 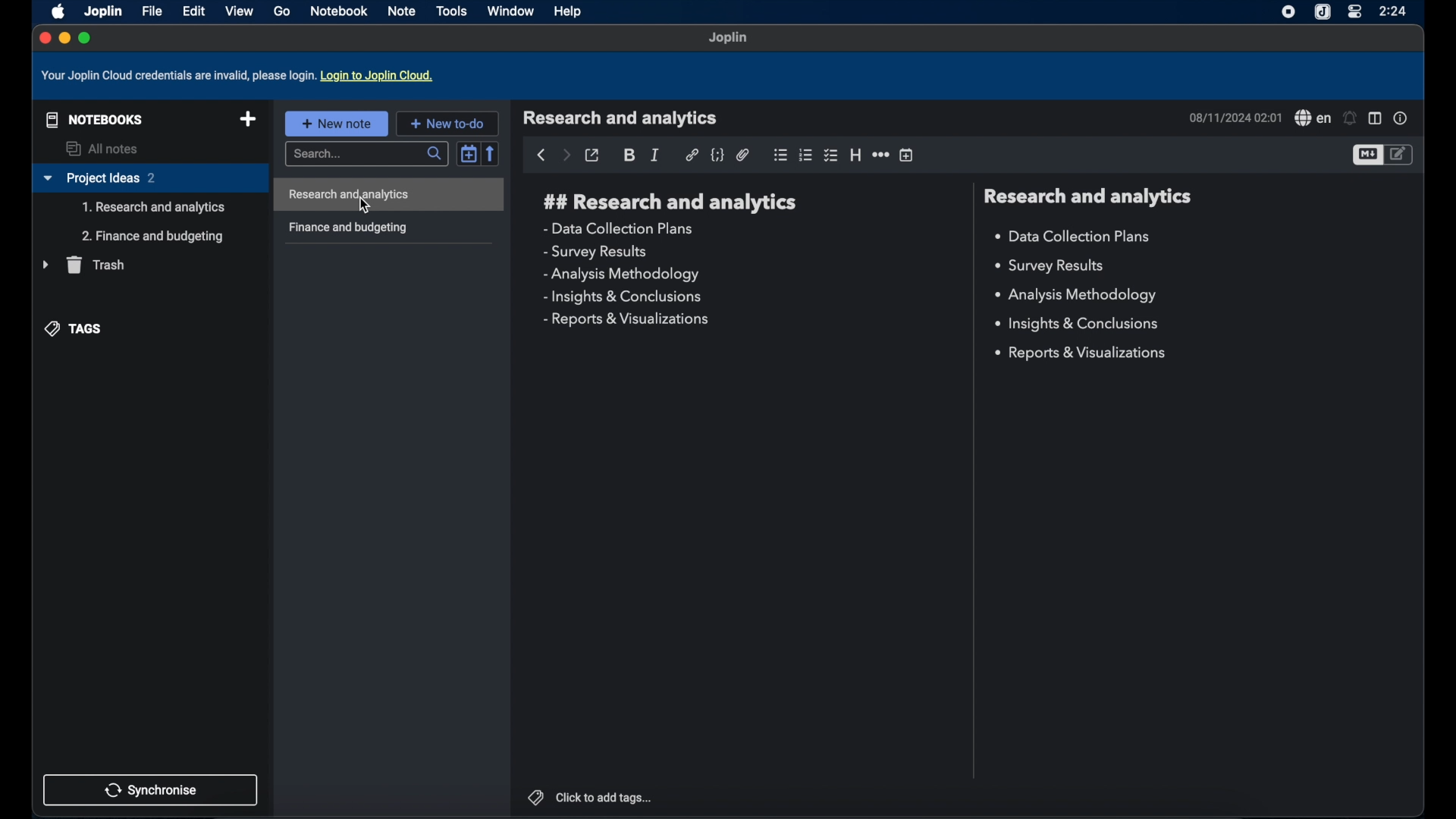 What do you see at coordinates (1083, 353) in the screenshot?
I see `reports and visualization` at bounding box center [1083, 353].